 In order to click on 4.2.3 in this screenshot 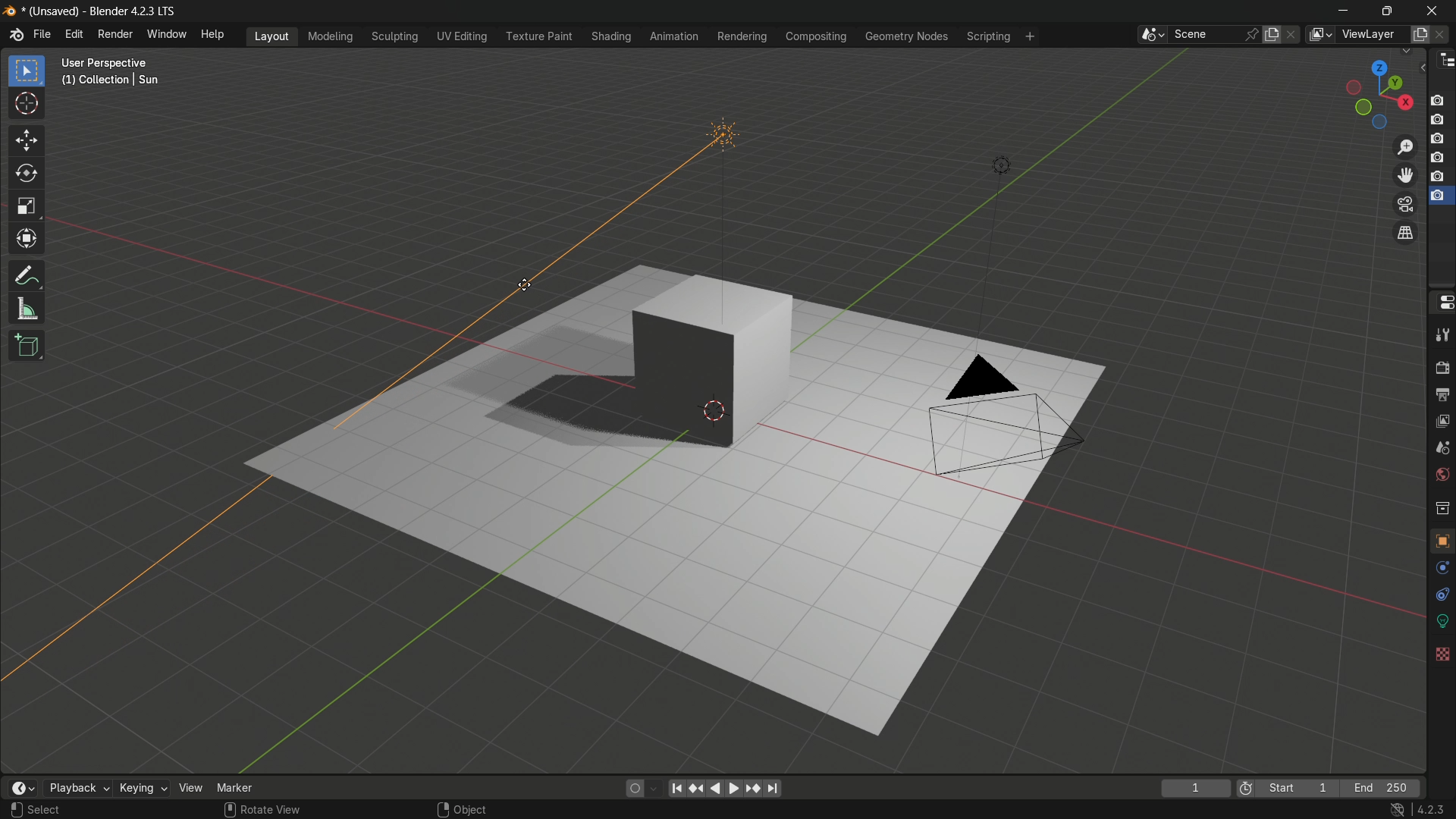, I will do `click(1430, 809)`.